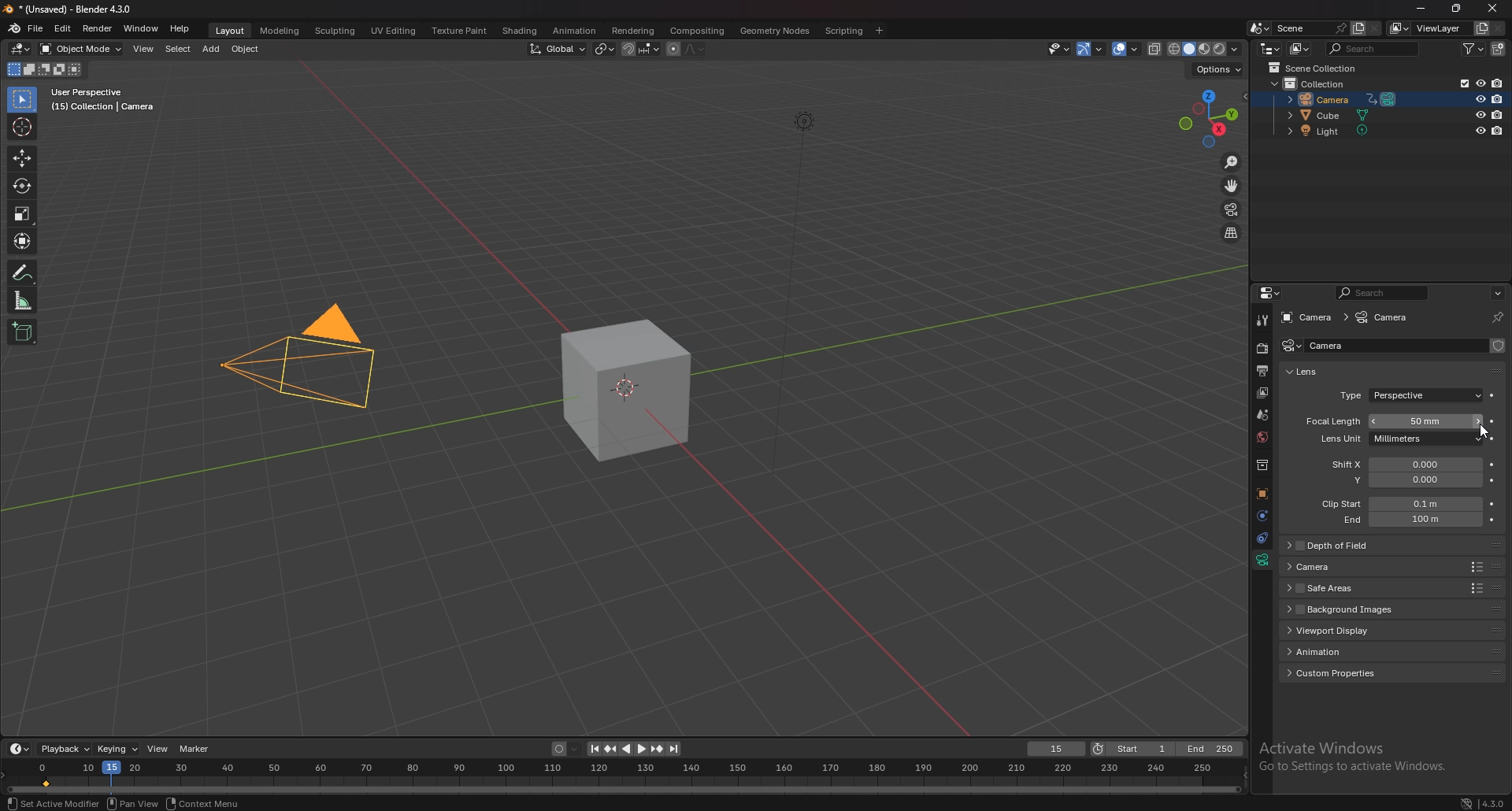  I want to click on jump to keyframe, so click(657, 749).